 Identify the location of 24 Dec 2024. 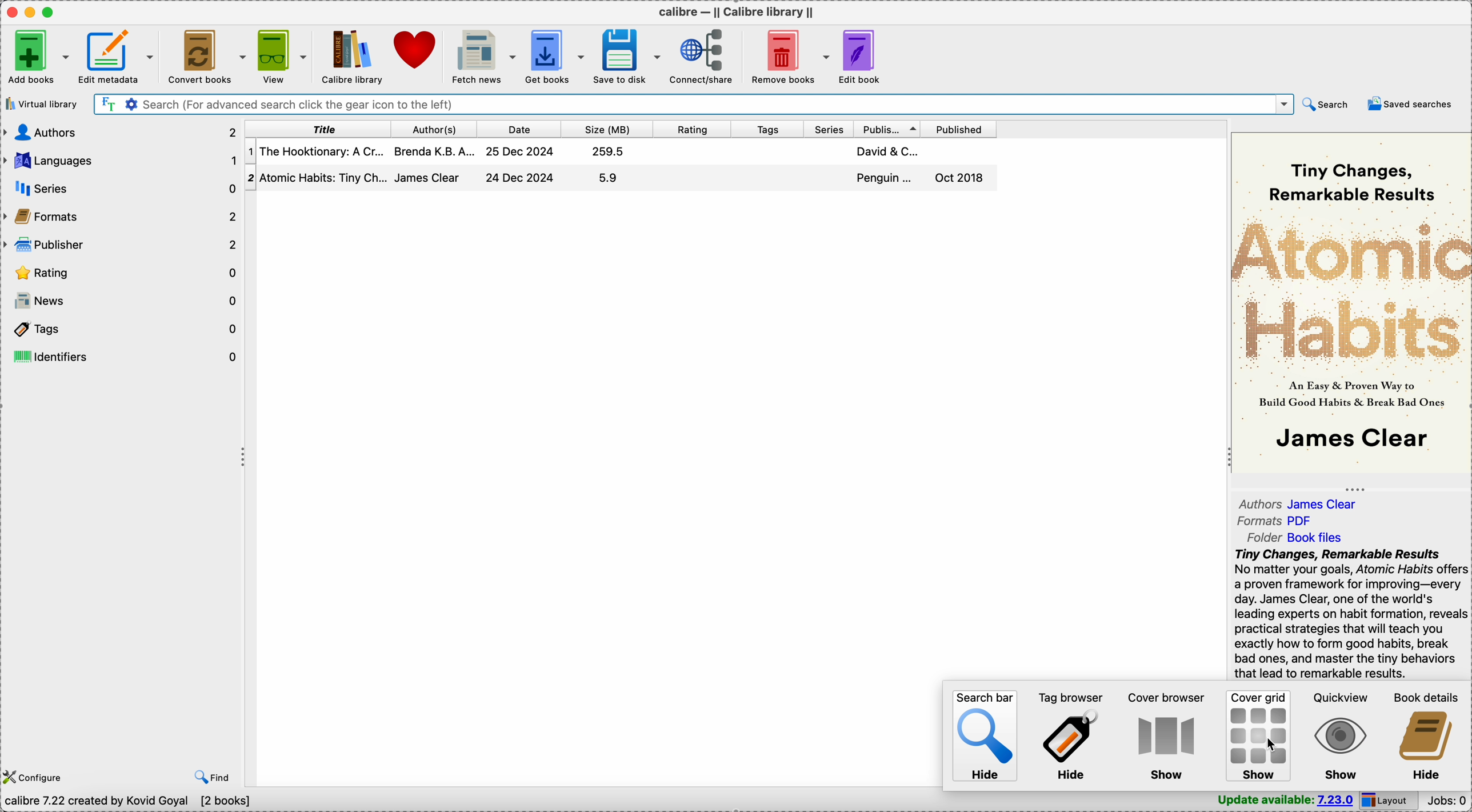
(520, 177).